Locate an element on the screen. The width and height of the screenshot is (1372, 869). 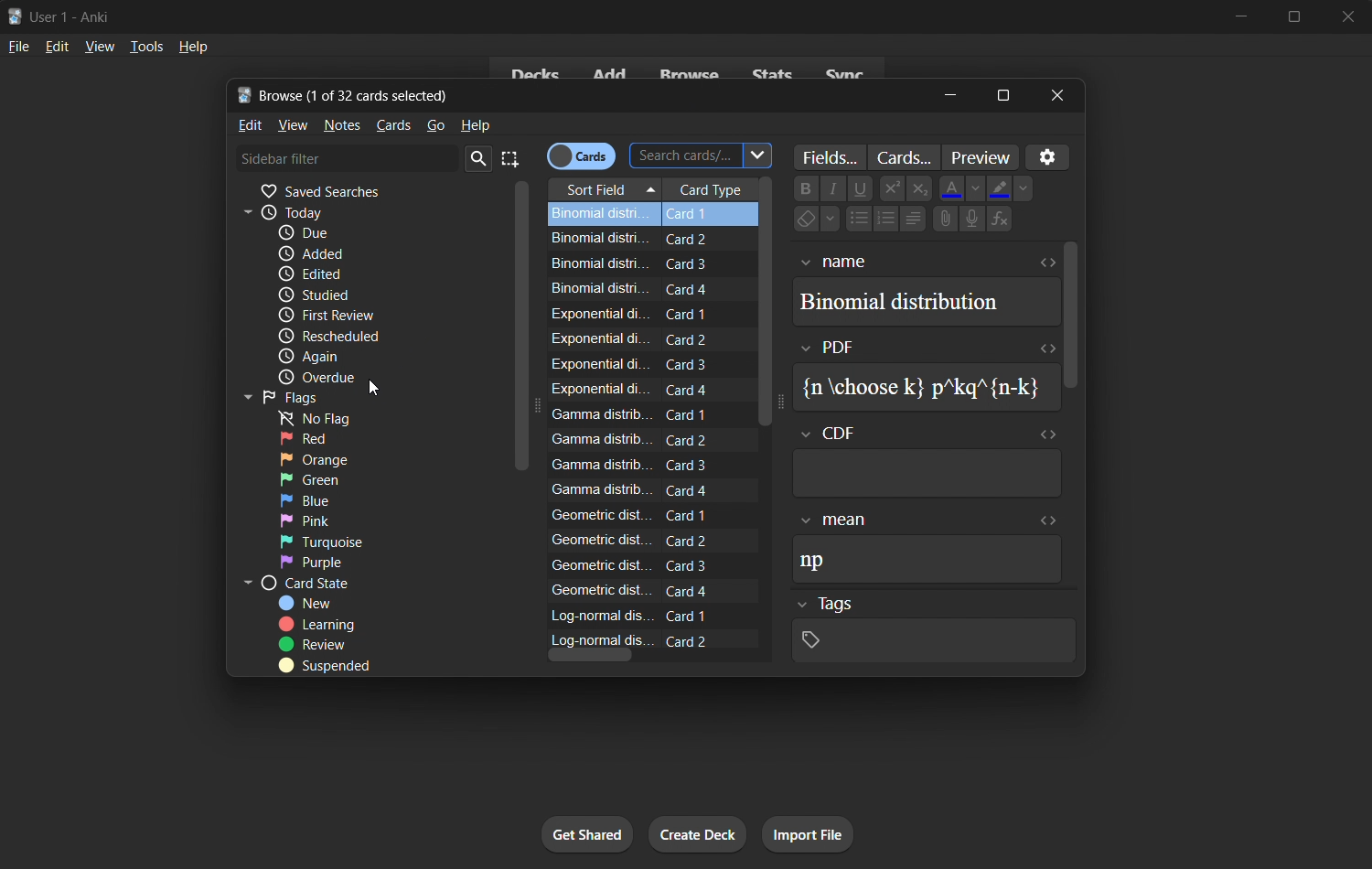
maximize is located at coordinates (1003, 94).